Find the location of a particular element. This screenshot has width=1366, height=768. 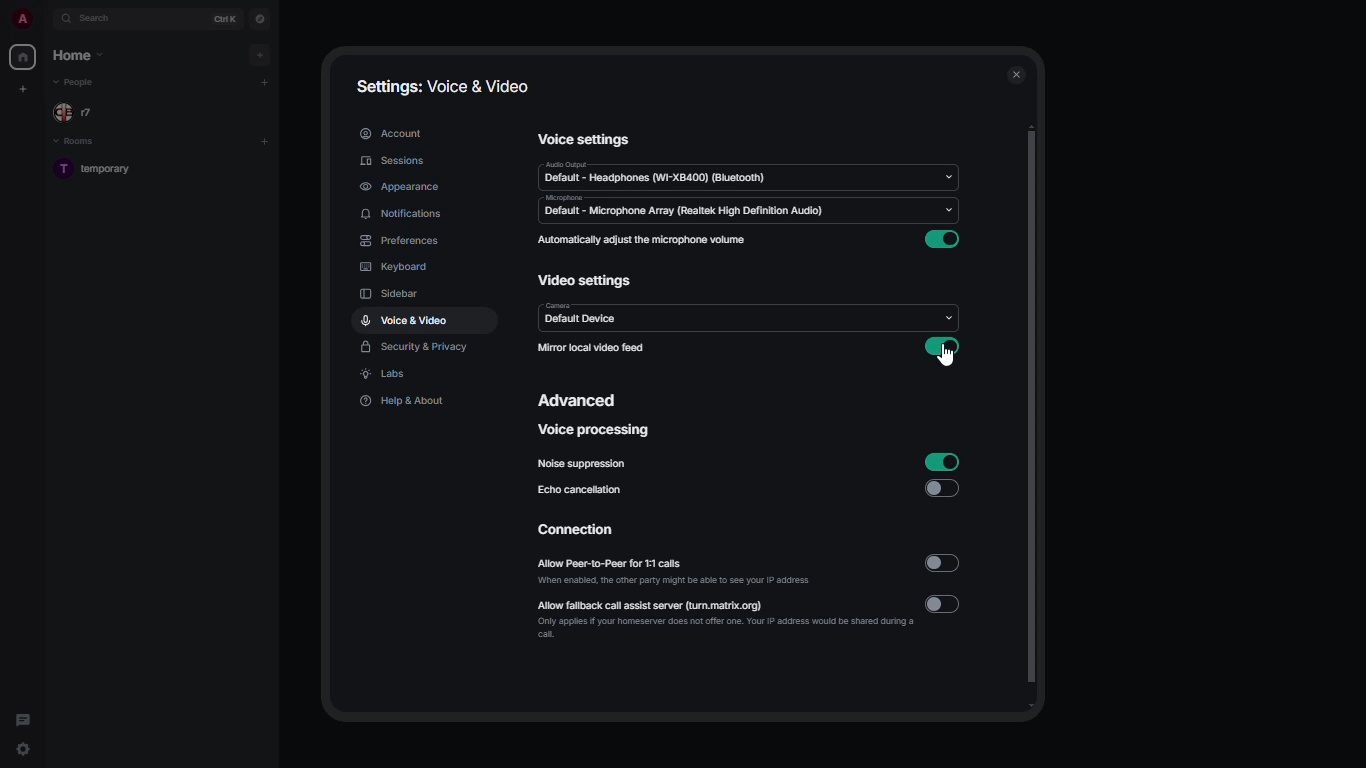

help & about is located at coordinates (402, 400).